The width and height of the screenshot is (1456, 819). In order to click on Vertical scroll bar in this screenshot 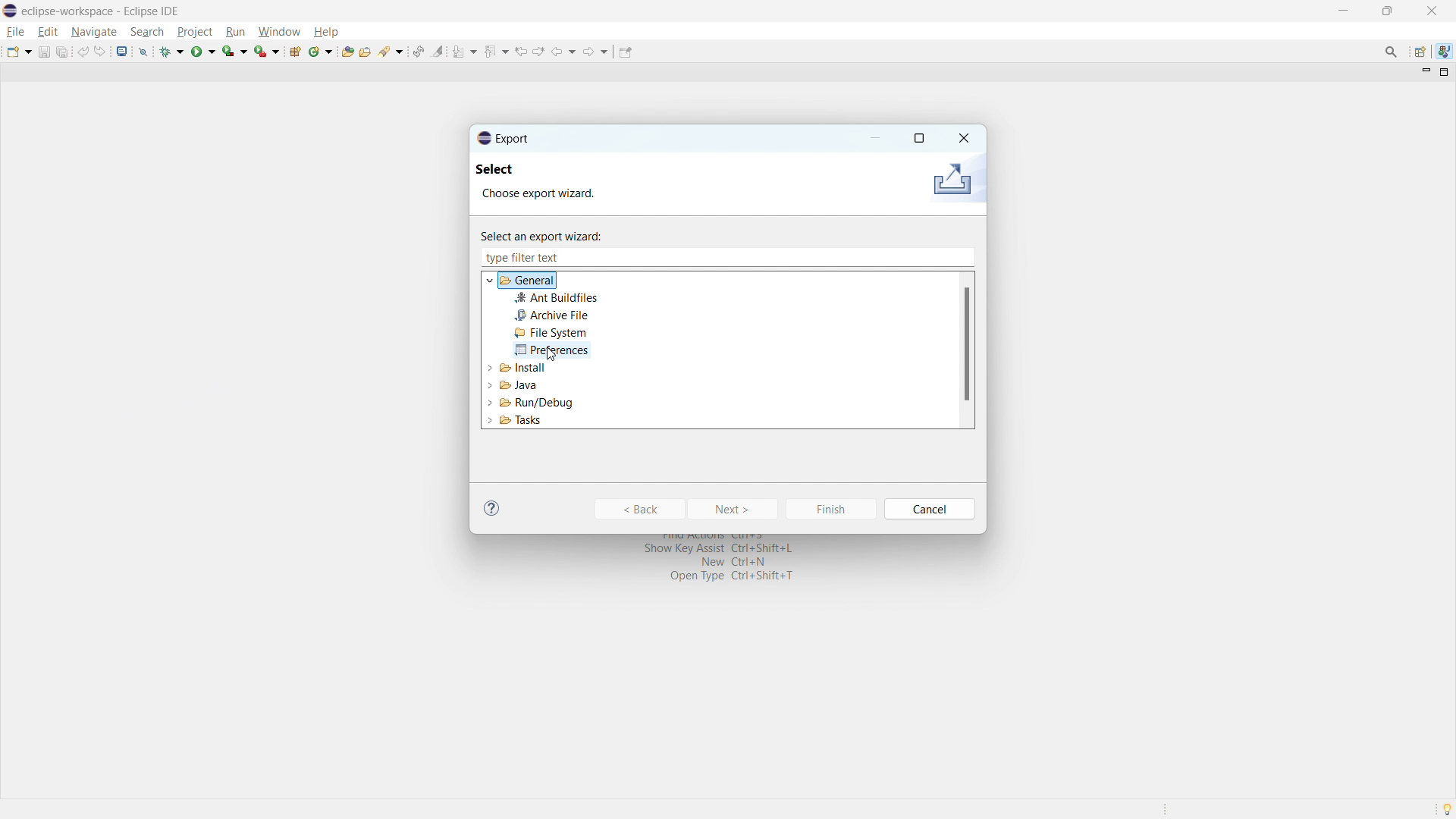, I will do `click(964, 353)`.